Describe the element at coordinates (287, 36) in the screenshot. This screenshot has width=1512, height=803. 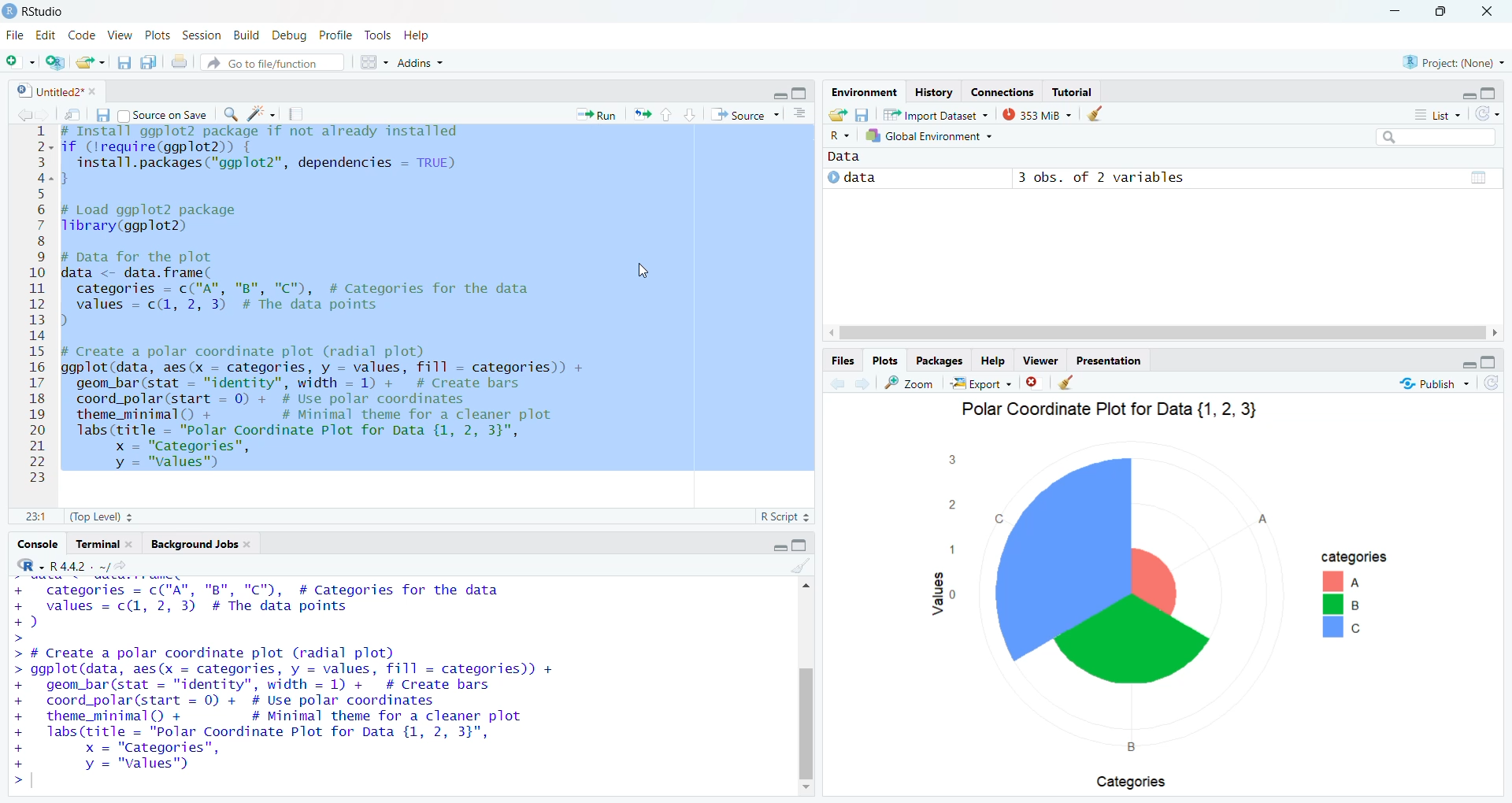
I see ` Debug` at that location.